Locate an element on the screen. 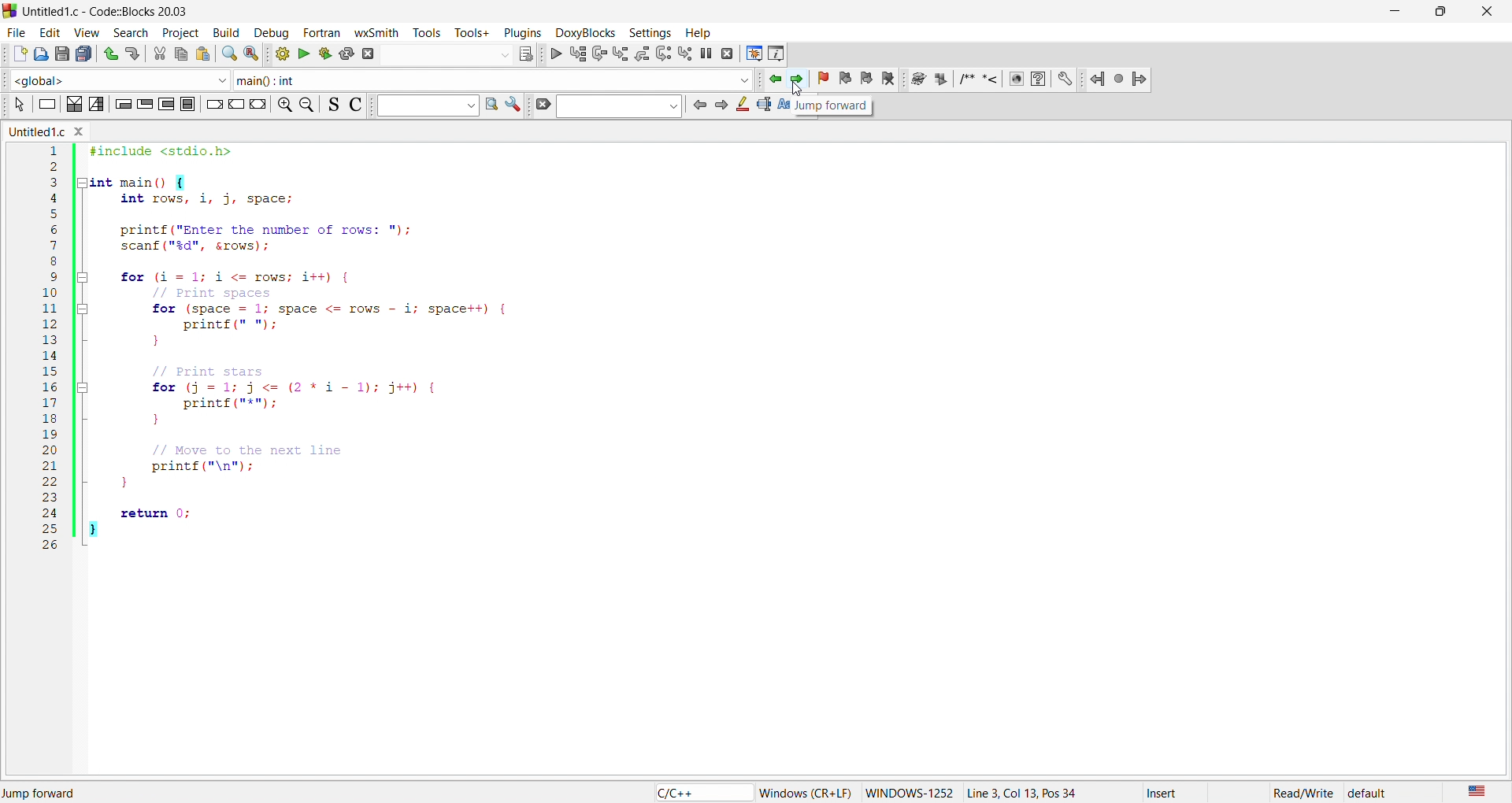 This screenshot has width=1512, height=803. jump forward is located at coordinates (801, 77).